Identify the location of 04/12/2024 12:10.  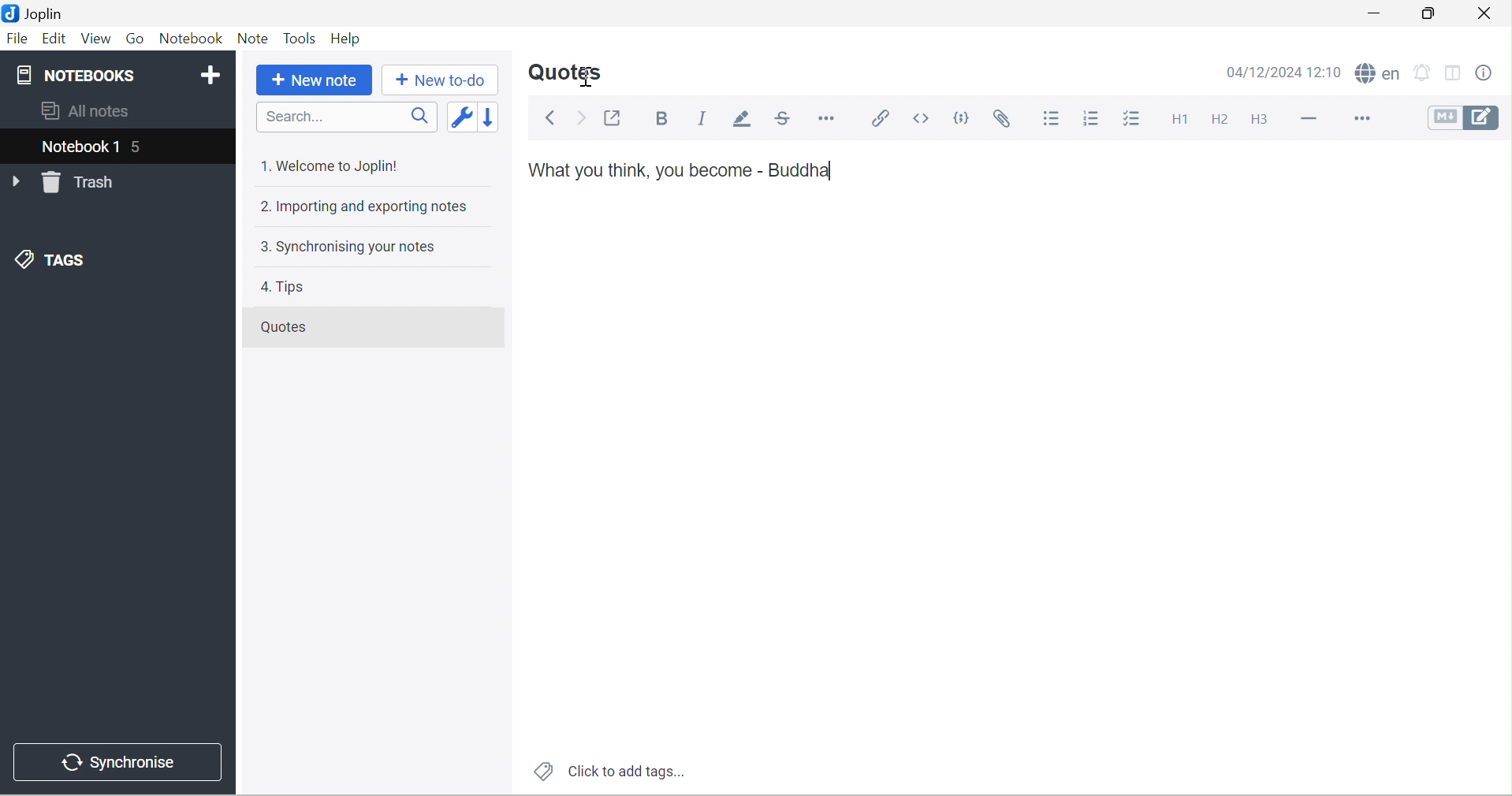
(1284, 72).